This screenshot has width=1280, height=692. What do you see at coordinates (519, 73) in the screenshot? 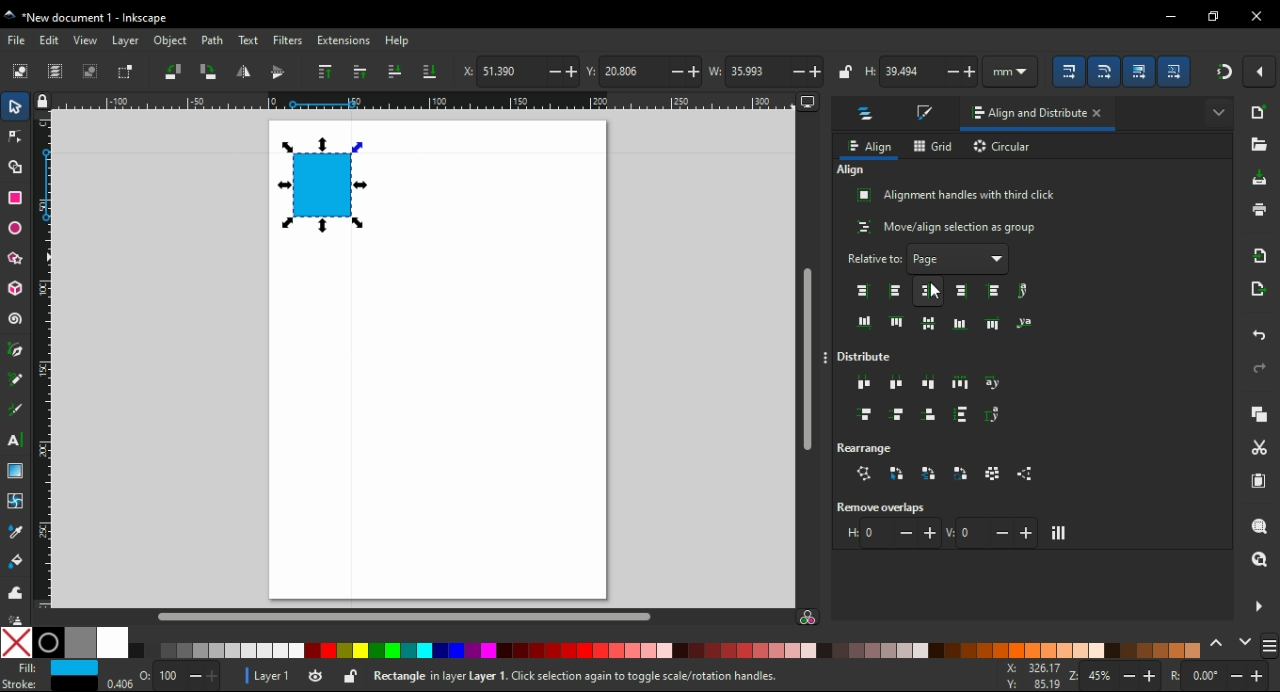
I see `horizontal coordinate of selection` at bounding box center [519, 73].